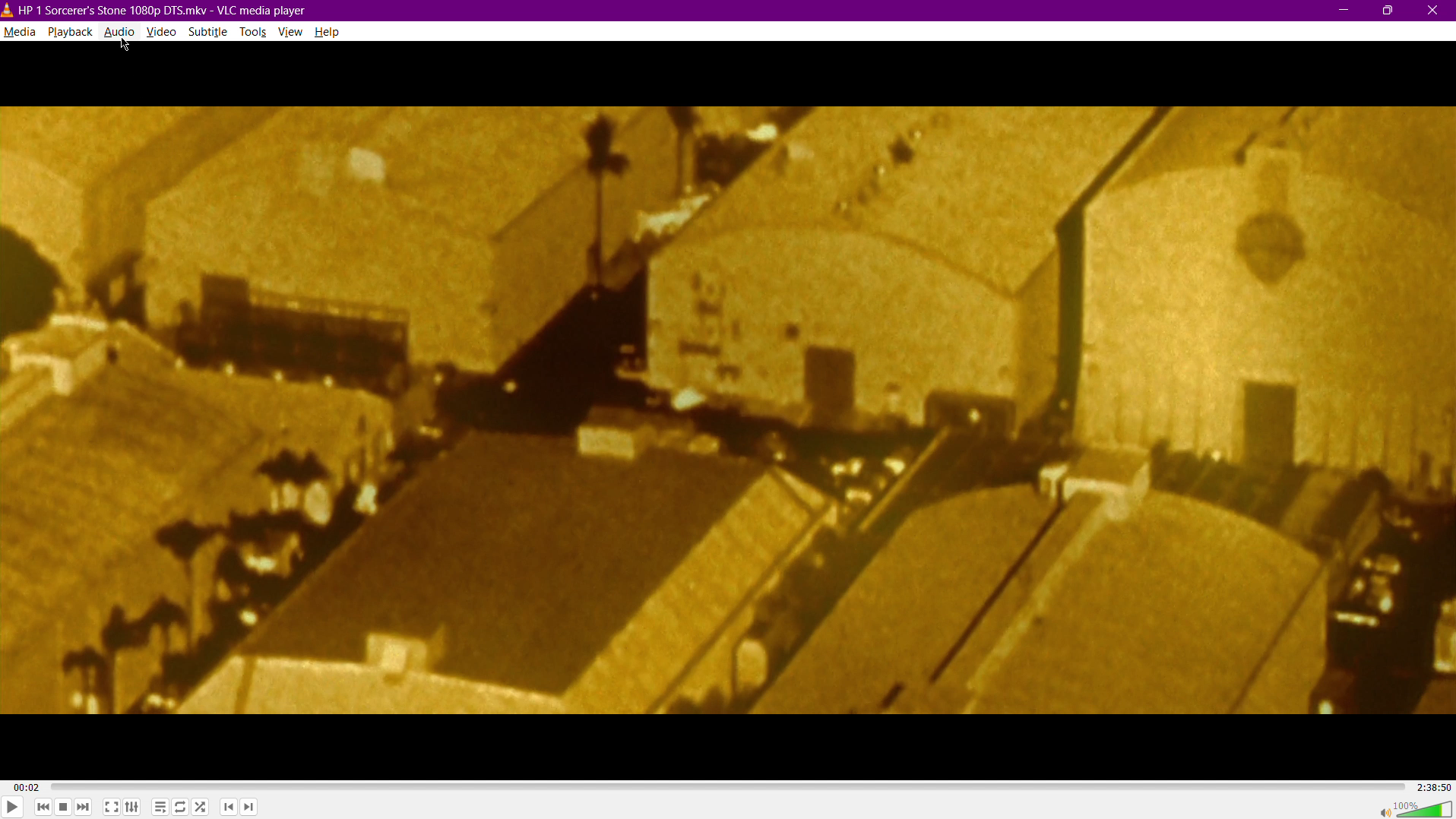 This screenshot has width=1456, height=819. Describe the element at coordinates (248, 809) in the screenshot. I see `Next Chapter` at that location.